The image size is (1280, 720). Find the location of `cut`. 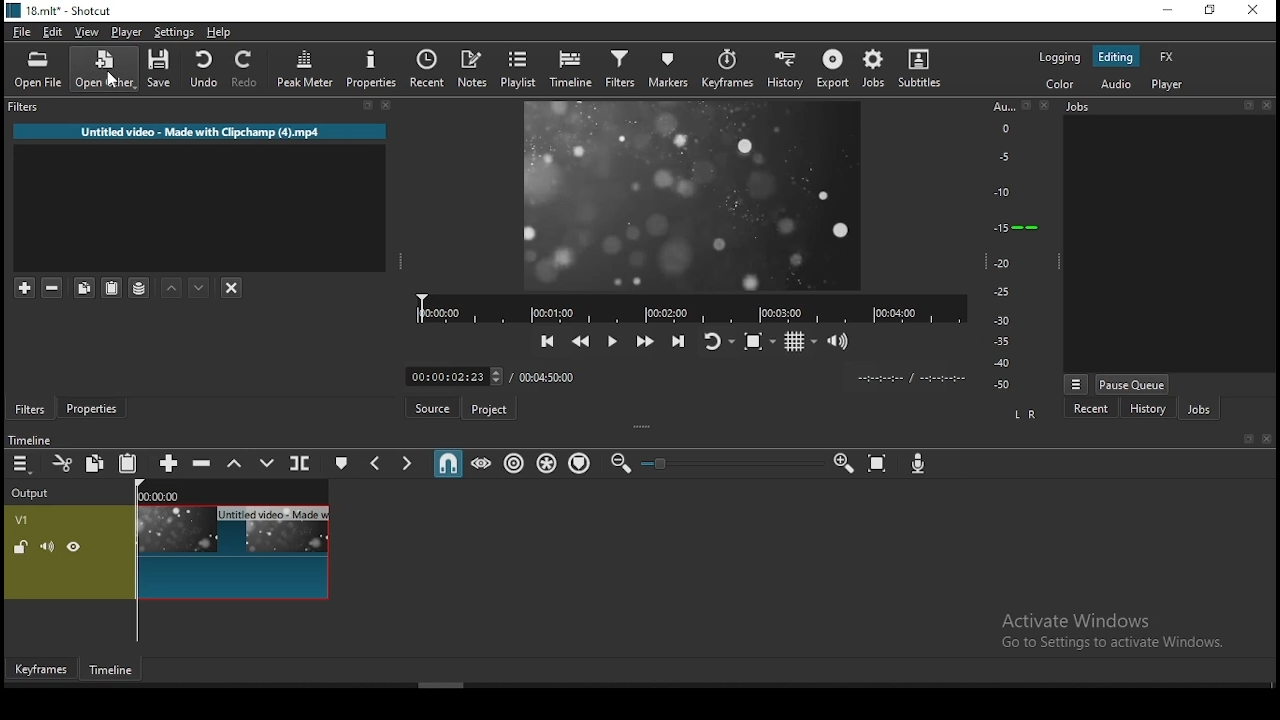

cut is located at coordinates (65, 463).